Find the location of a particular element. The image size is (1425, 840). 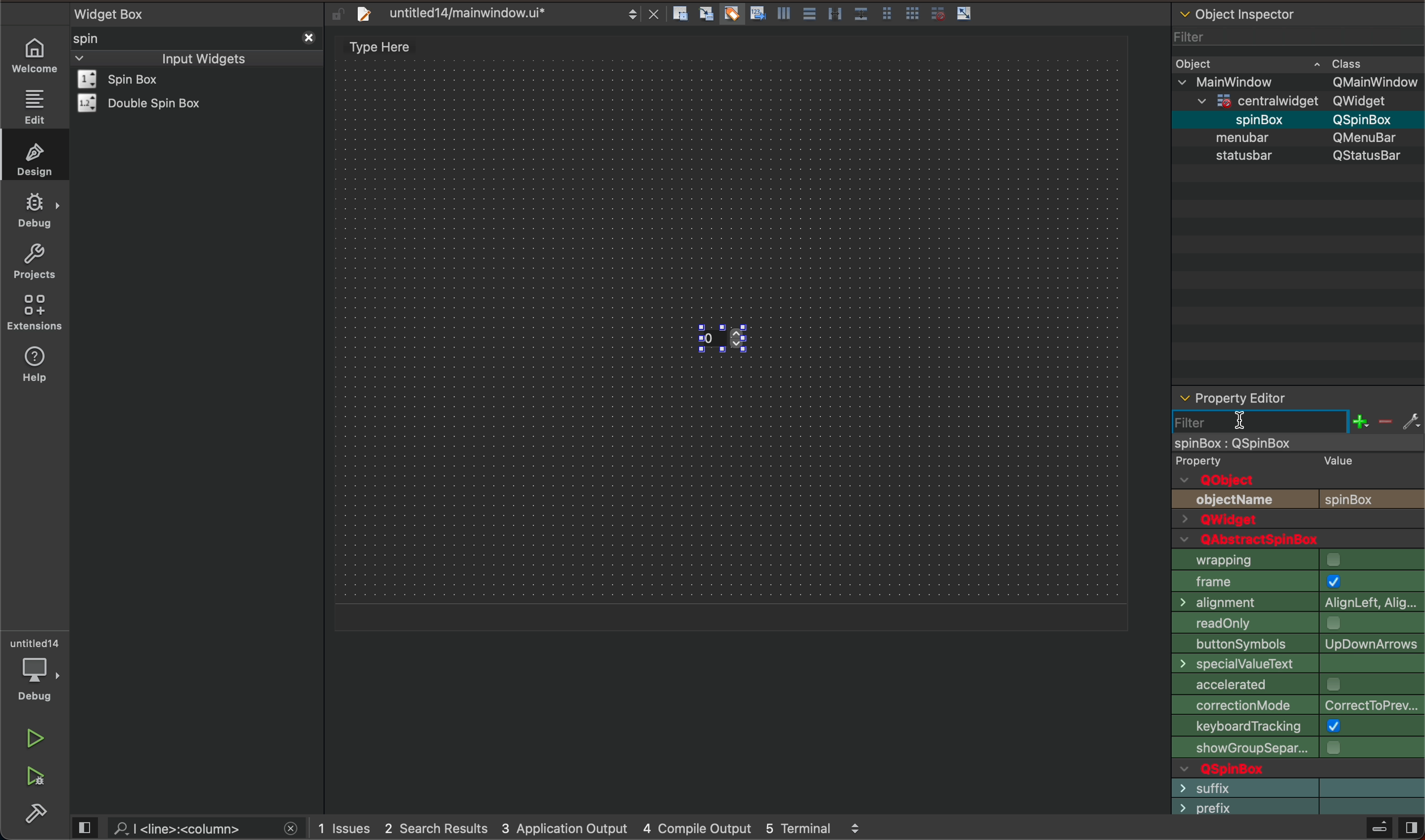

editor is located at coordinates (1233, 398).